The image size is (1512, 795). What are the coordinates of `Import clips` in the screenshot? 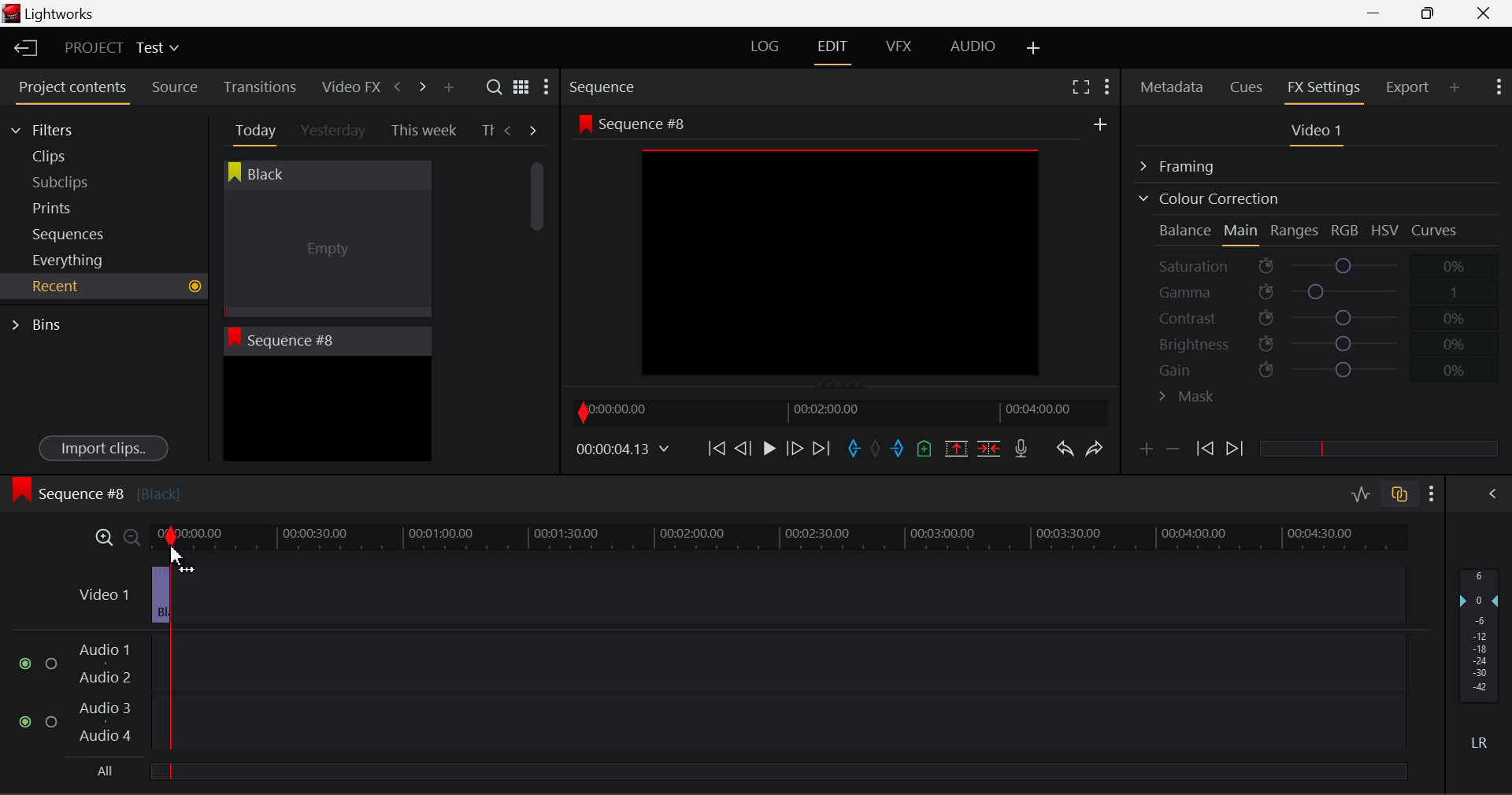 It's located at (103, 449).